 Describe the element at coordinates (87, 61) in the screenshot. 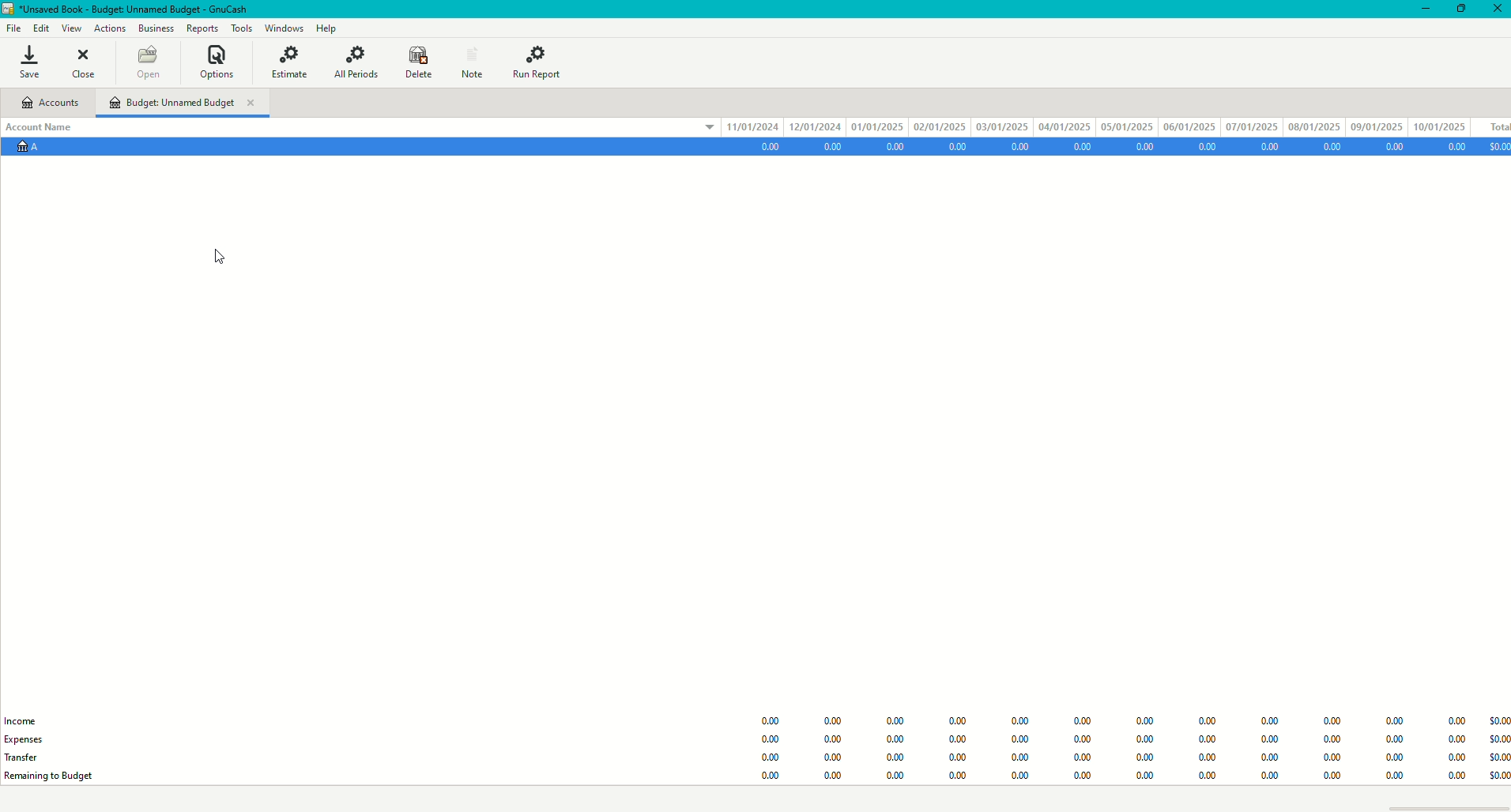

I see `Close` at that location.